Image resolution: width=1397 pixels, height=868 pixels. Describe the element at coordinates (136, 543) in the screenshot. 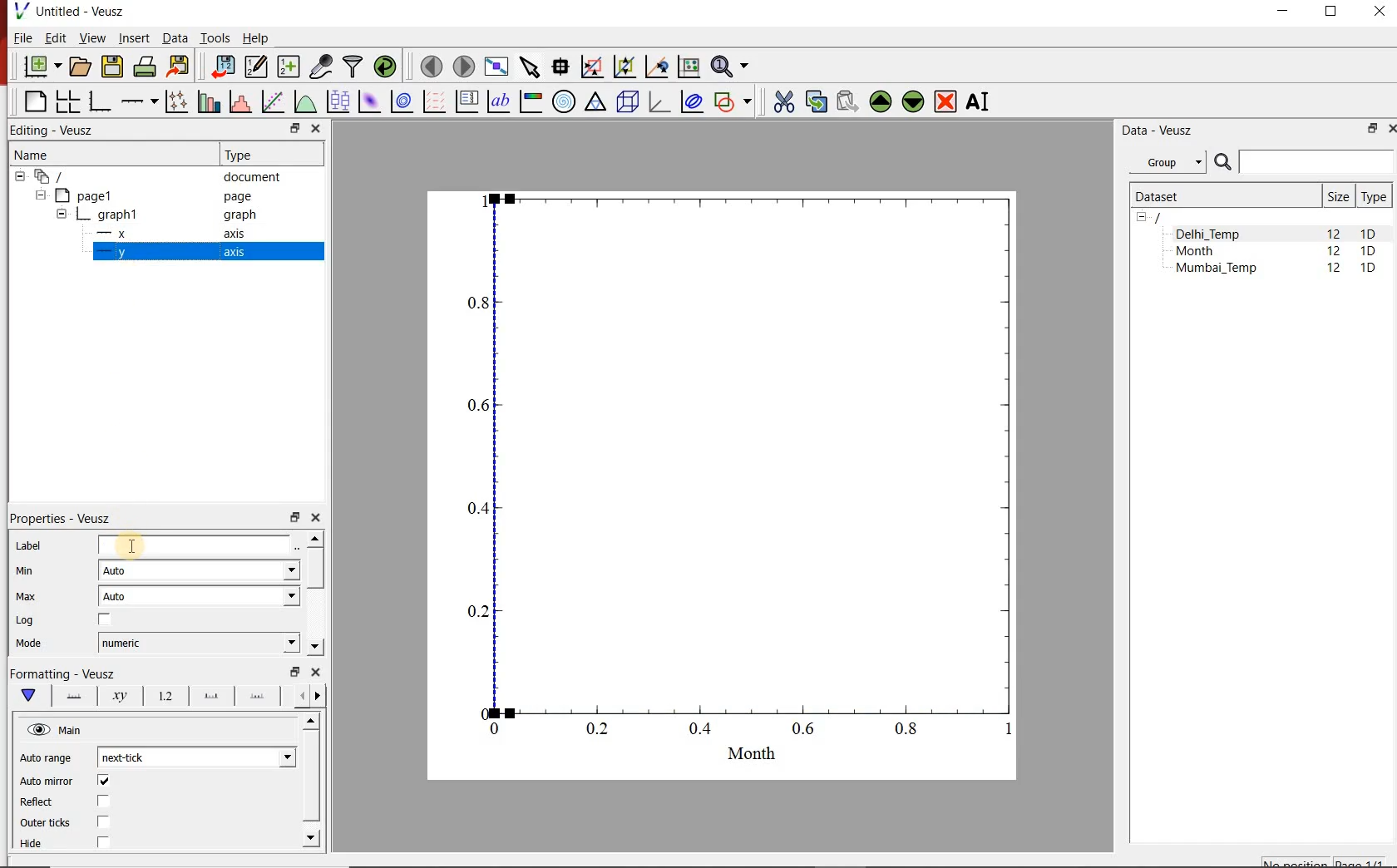

I see `cursor` at that location.